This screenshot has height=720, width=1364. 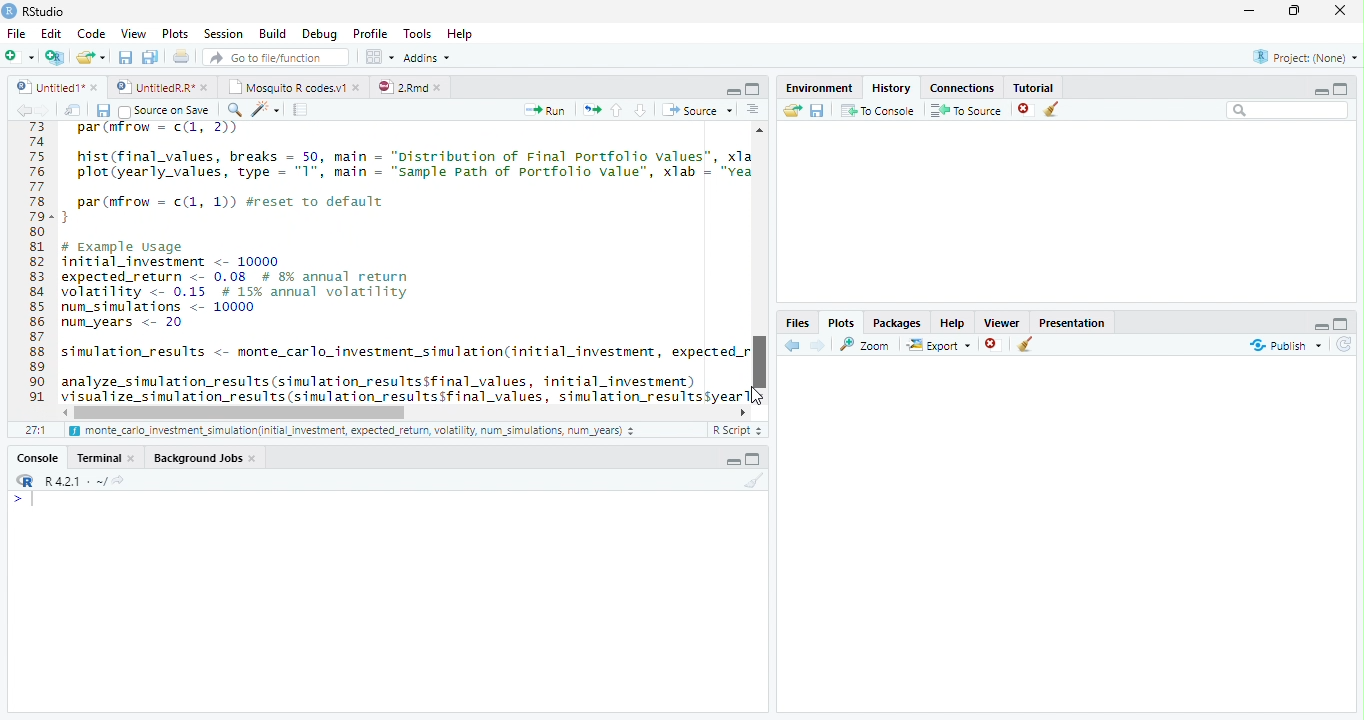 What do you see at coordinates (354, 432) in the screenshot?
I see `monte_cario investment _simuiation{initial investment, expected_return, volatility, num simulations, num years)` at bounding box center [354, 432].